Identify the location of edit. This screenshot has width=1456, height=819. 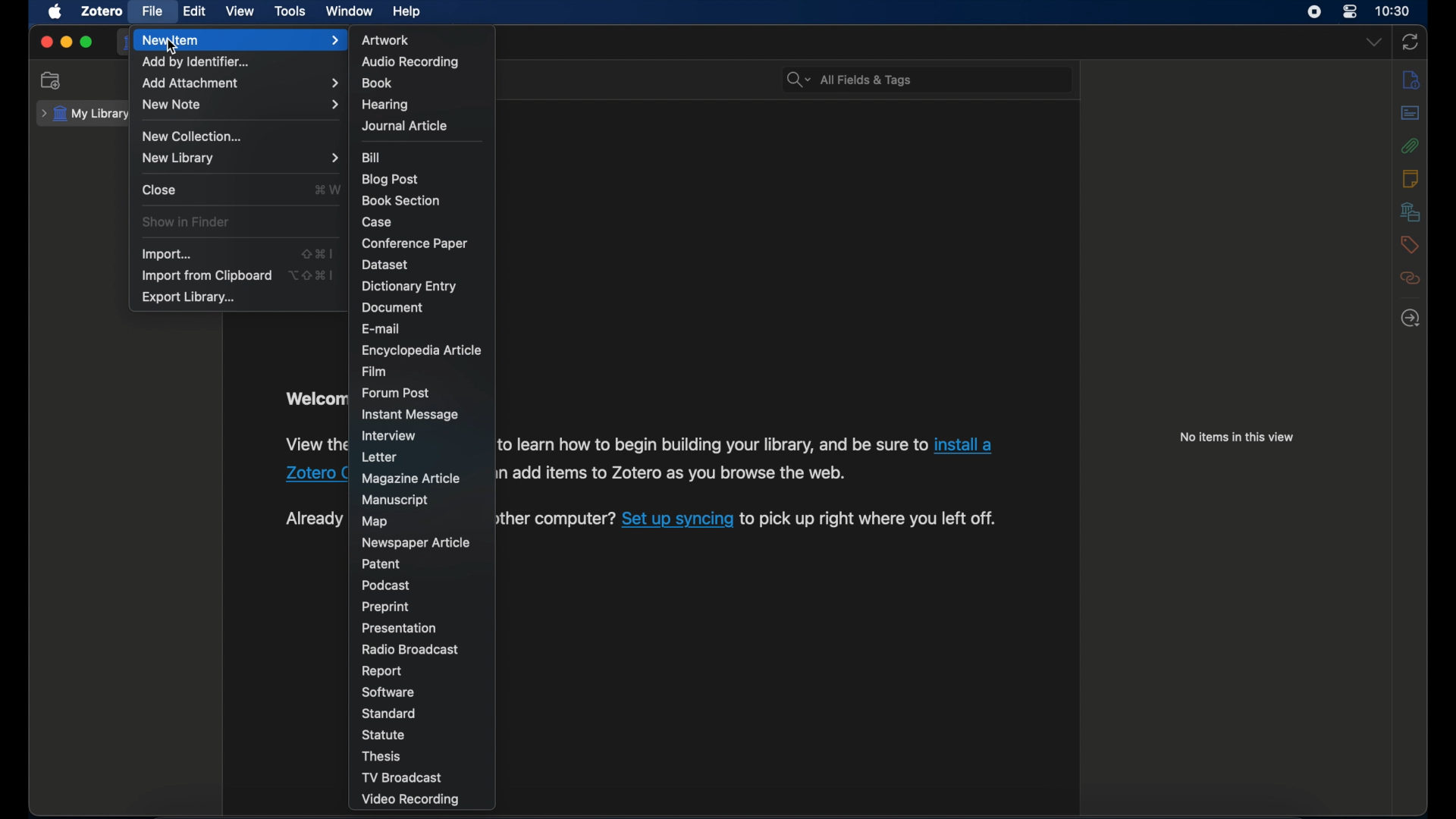
(196, 11).